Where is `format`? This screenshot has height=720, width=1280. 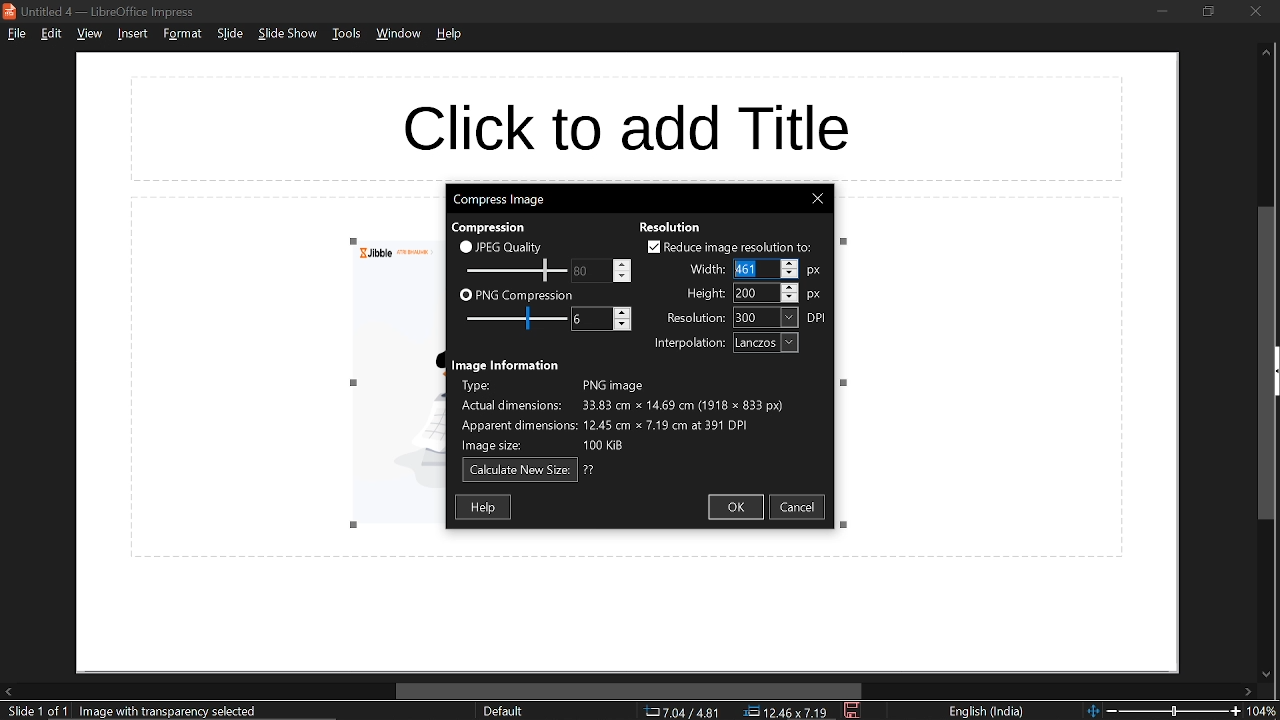
format is located at coordinates (182, 34).